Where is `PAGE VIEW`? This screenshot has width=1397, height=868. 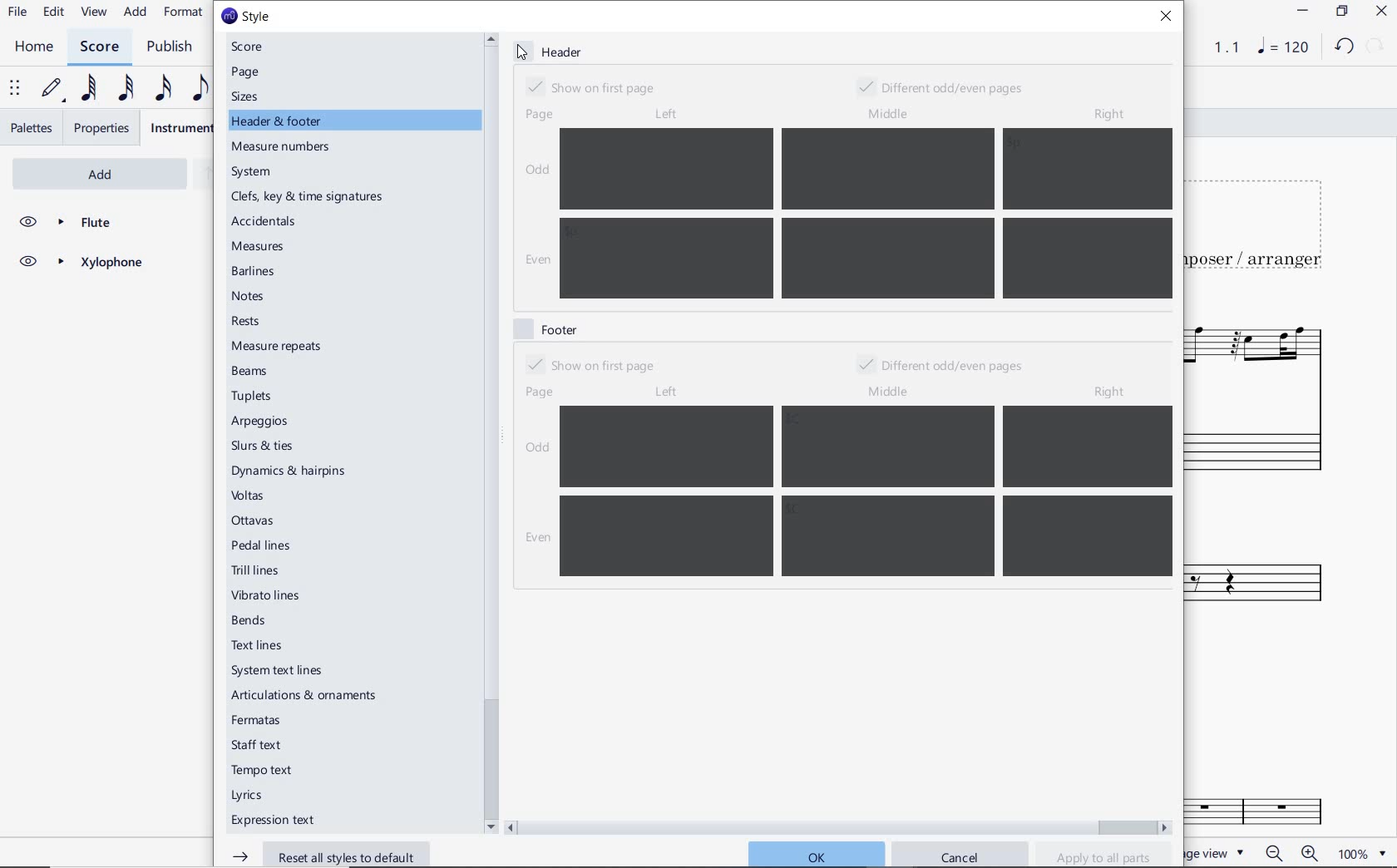
PAGE VIEW is located at coordinates (1220, 852).